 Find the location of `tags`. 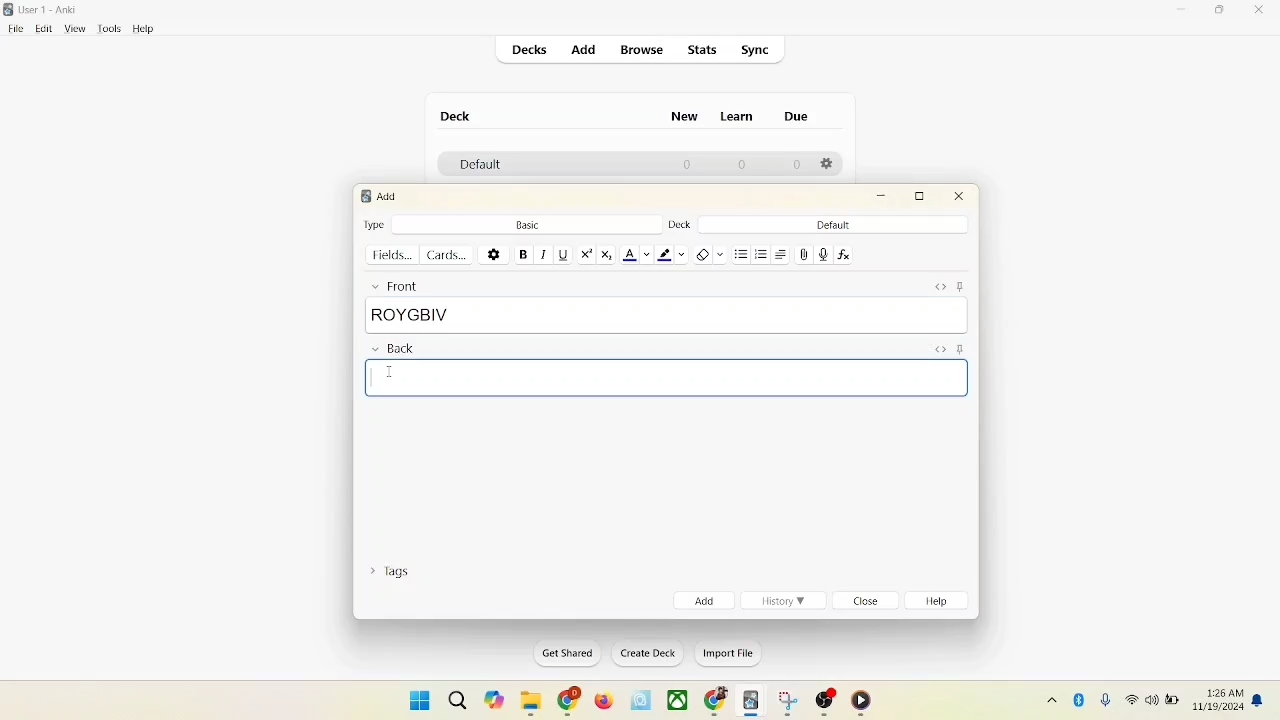

tags is located at coordinates (395, 575).